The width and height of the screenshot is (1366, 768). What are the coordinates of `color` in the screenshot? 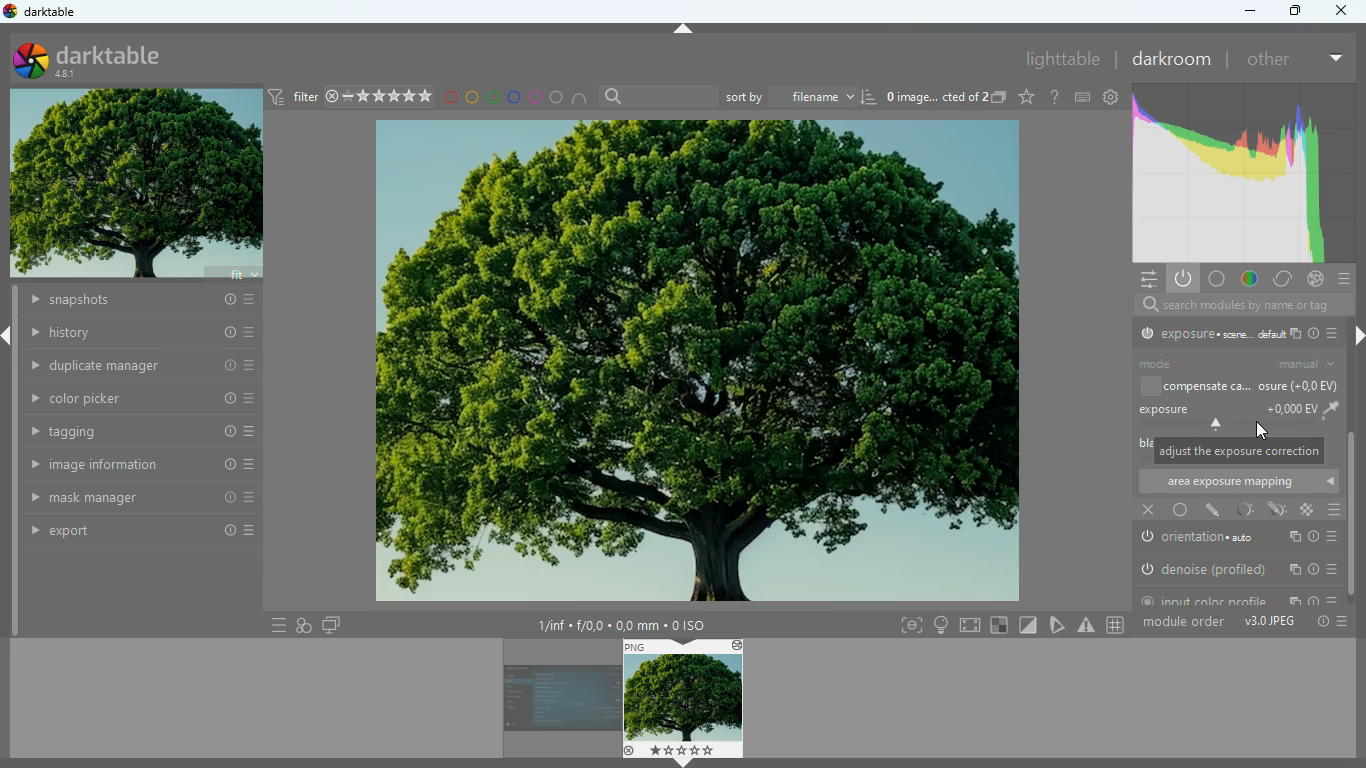 It's located at (1308, 510).